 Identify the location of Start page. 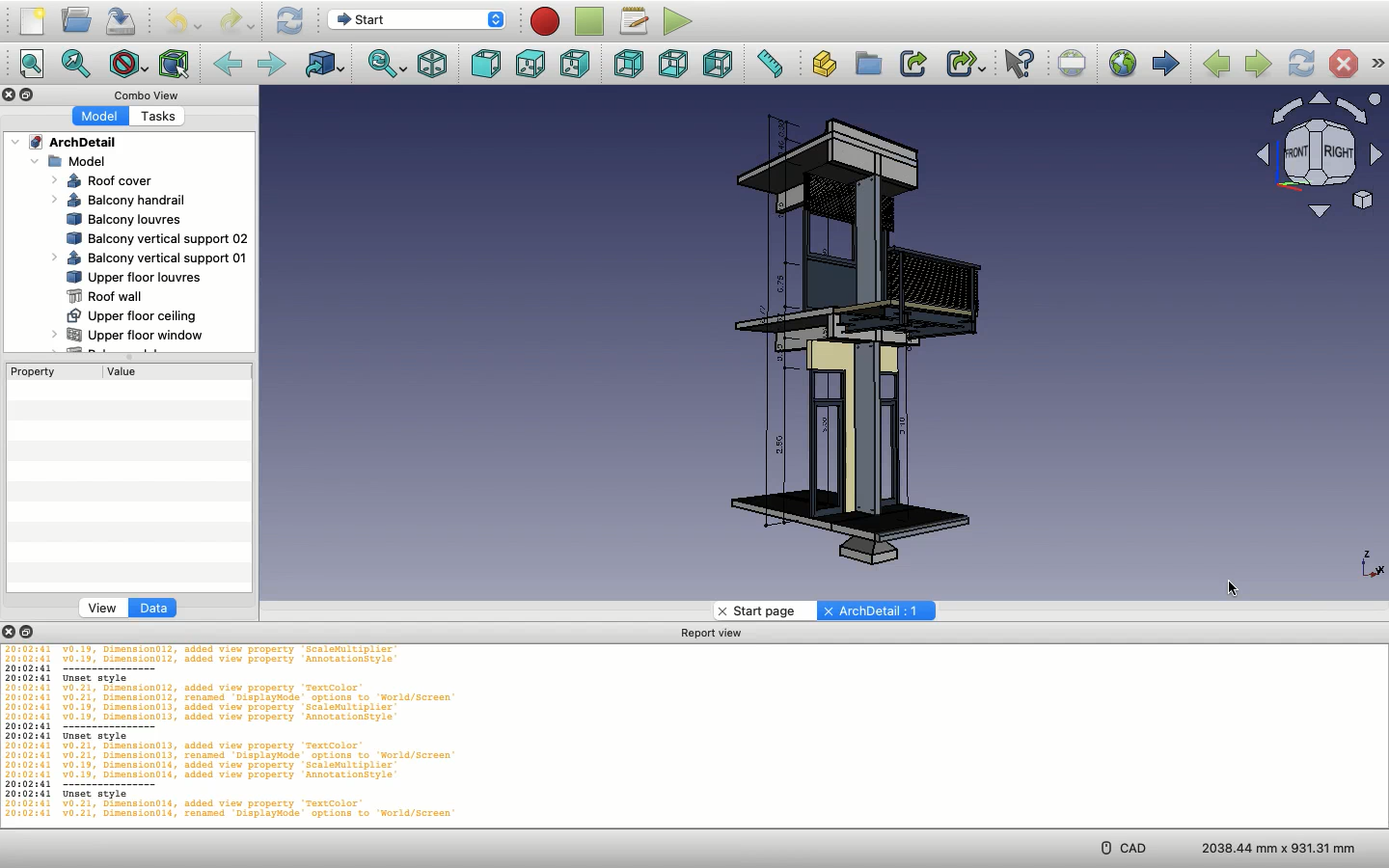
(1165, 64).